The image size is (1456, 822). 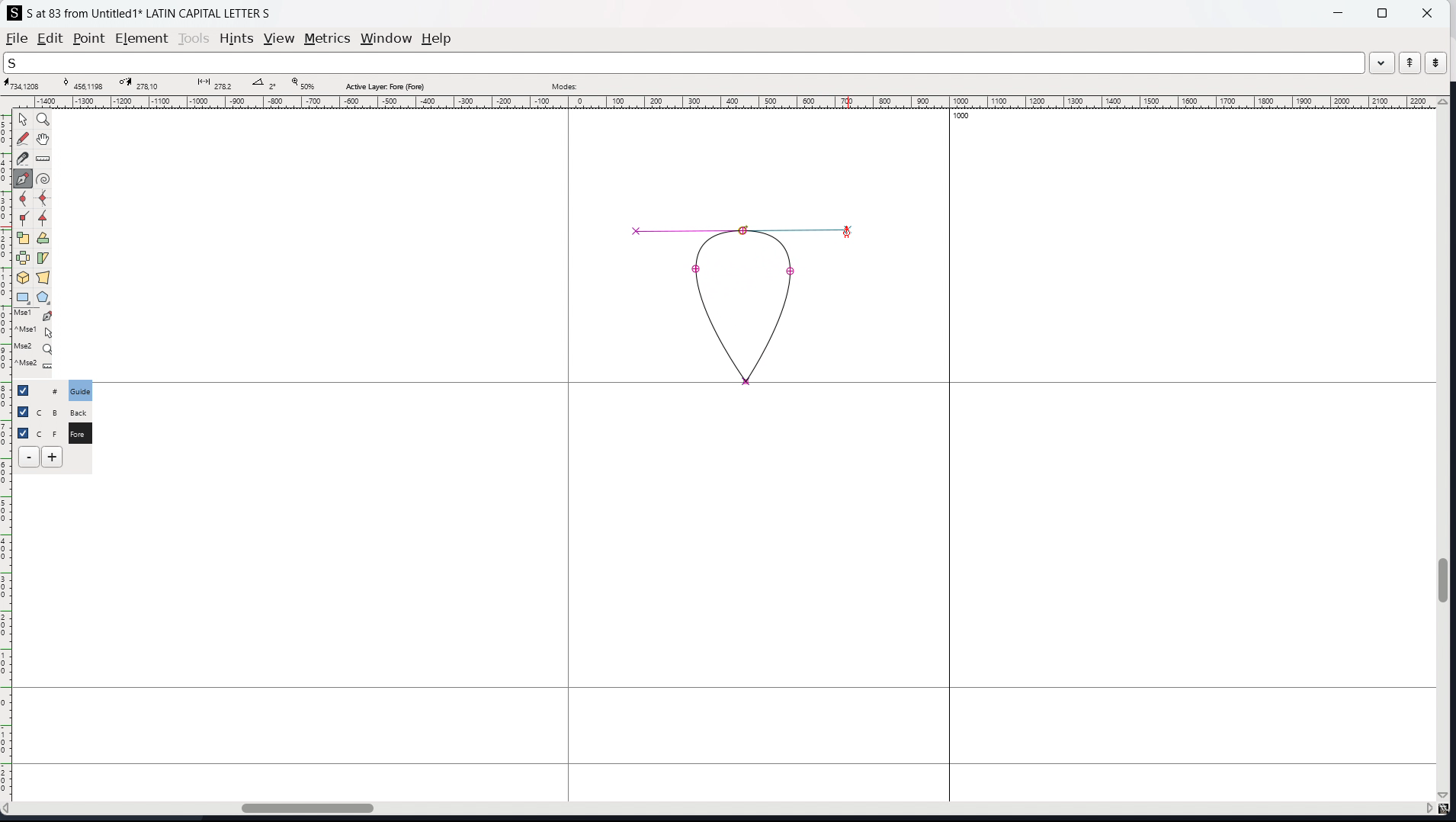 What do you see at coordinates (79, 432) in the screenshot?
I see `C F Fore` at bounding box center [79, 432].